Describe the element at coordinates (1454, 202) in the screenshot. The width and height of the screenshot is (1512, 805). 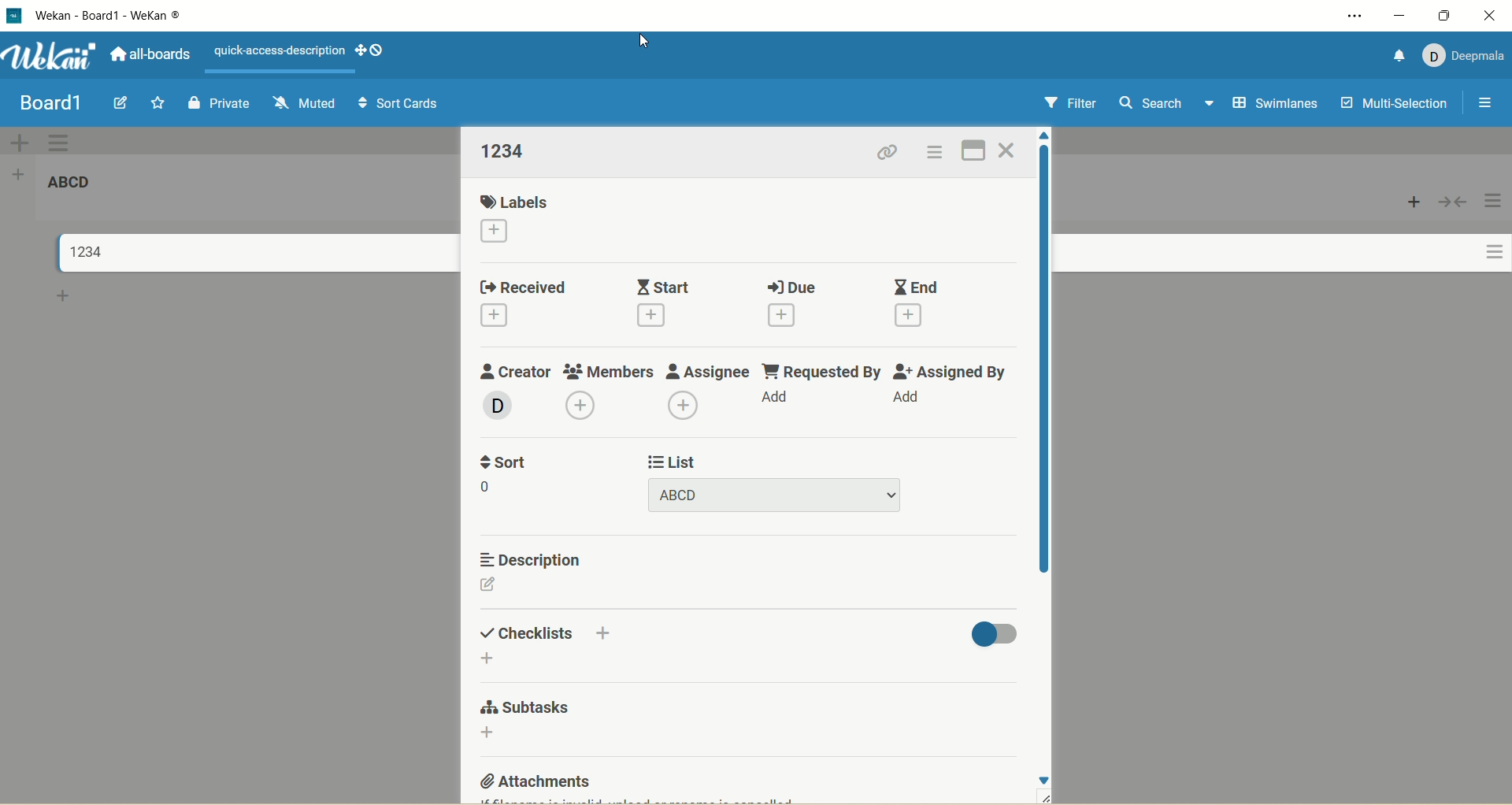
I see `collapse` at that location.